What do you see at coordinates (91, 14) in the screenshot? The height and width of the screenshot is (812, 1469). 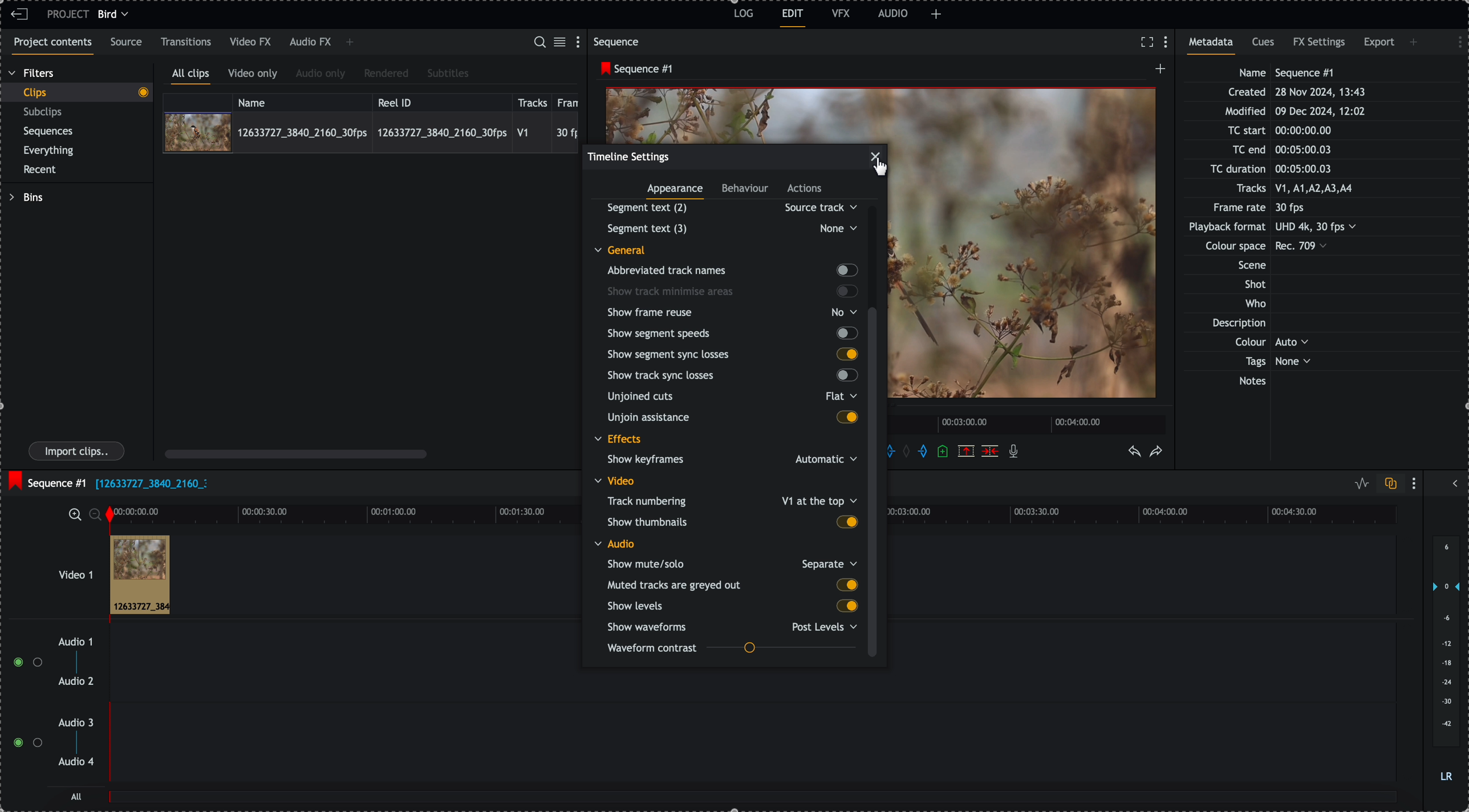 I see `project bird` at bounding box center [91, 14].